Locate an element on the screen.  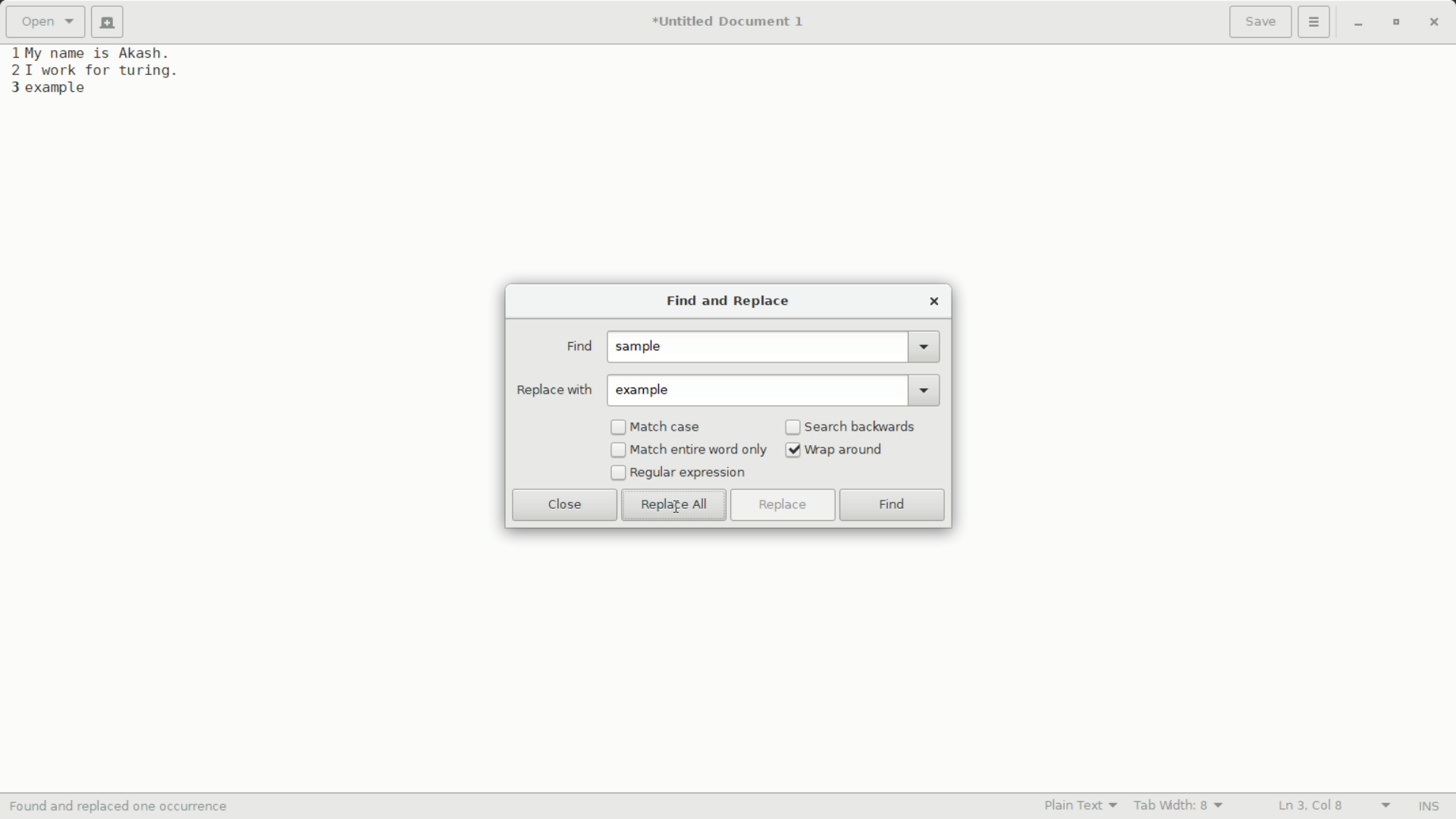
close is located at coordinates (565, 504).